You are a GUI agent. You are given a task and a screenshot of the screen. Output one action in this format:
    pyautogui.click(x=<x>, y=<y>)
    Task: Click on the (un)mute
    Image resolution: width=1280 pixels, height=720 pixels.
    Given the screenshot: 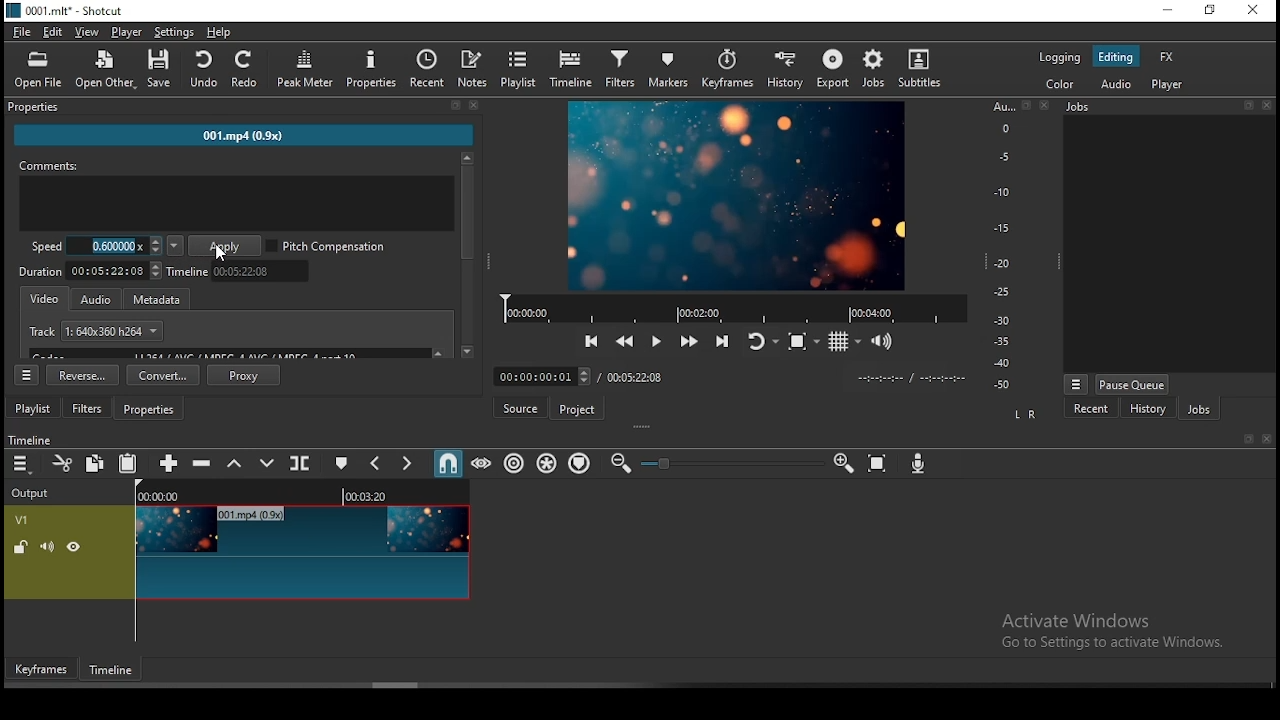 What is the action you would take?
    pyautogui.click(x=53, y=548)
    